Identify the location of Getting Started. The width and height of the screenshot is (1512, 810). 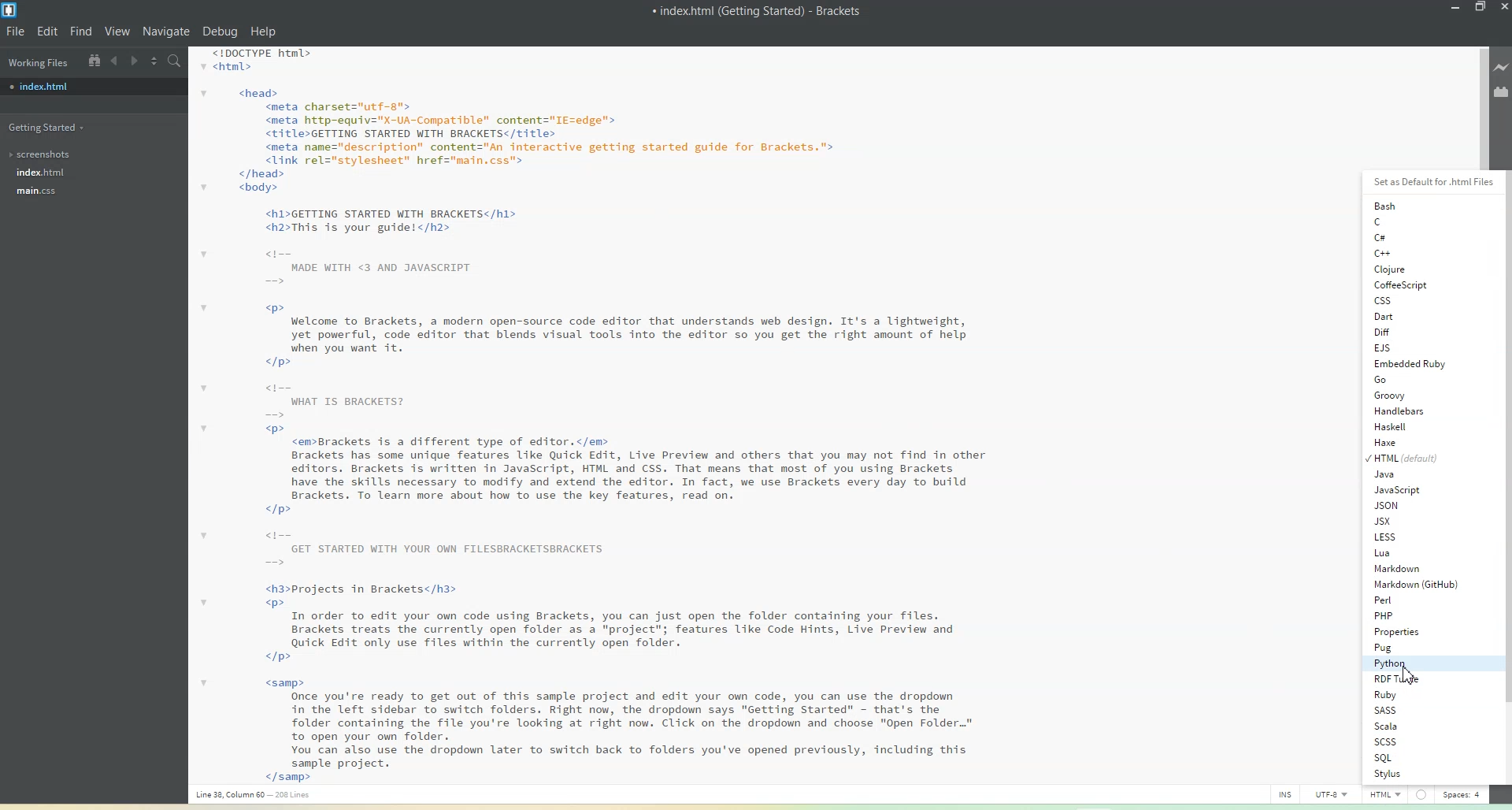
(49, 126).